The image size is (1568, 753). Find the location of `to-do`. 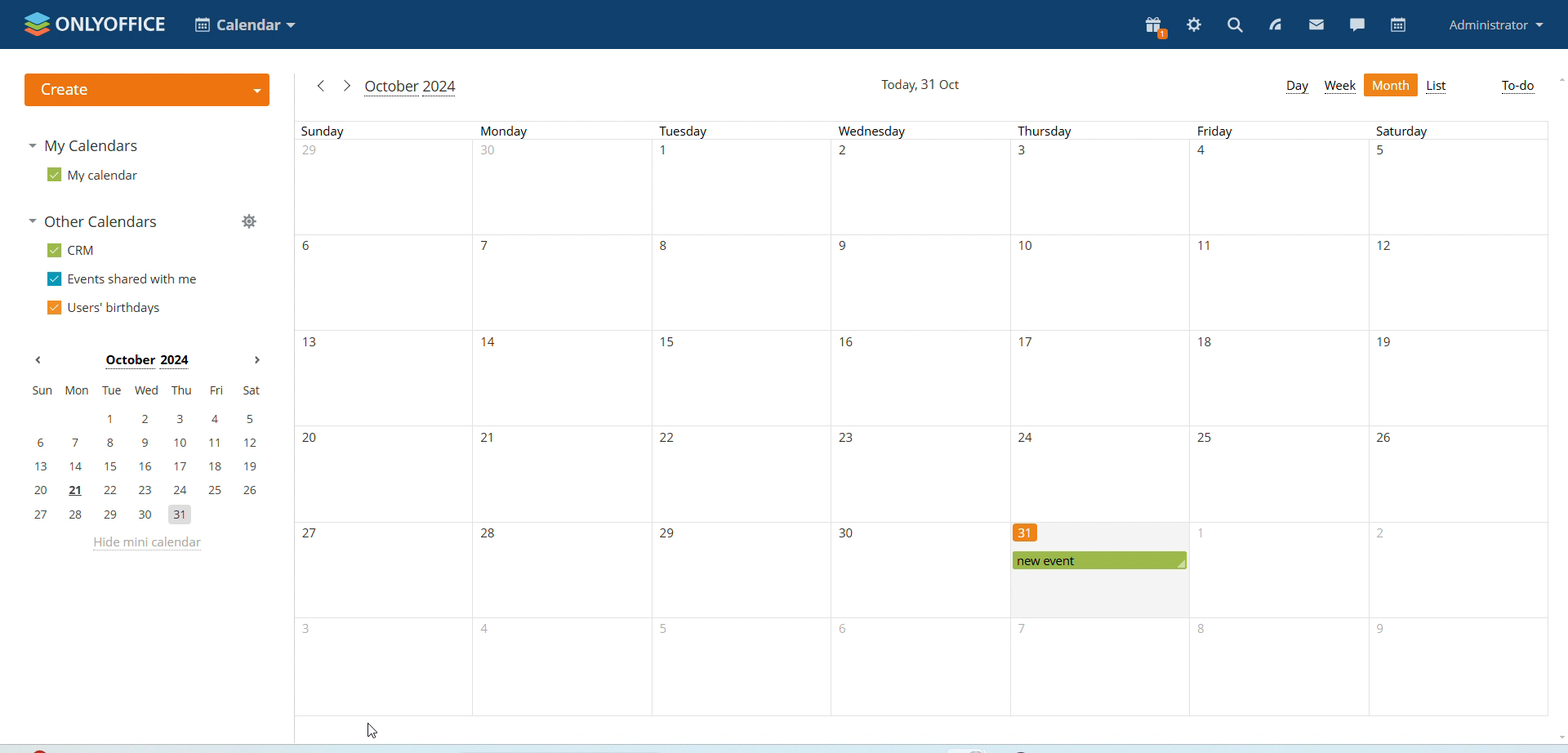

to-do is located at coordinates (1517, 87).